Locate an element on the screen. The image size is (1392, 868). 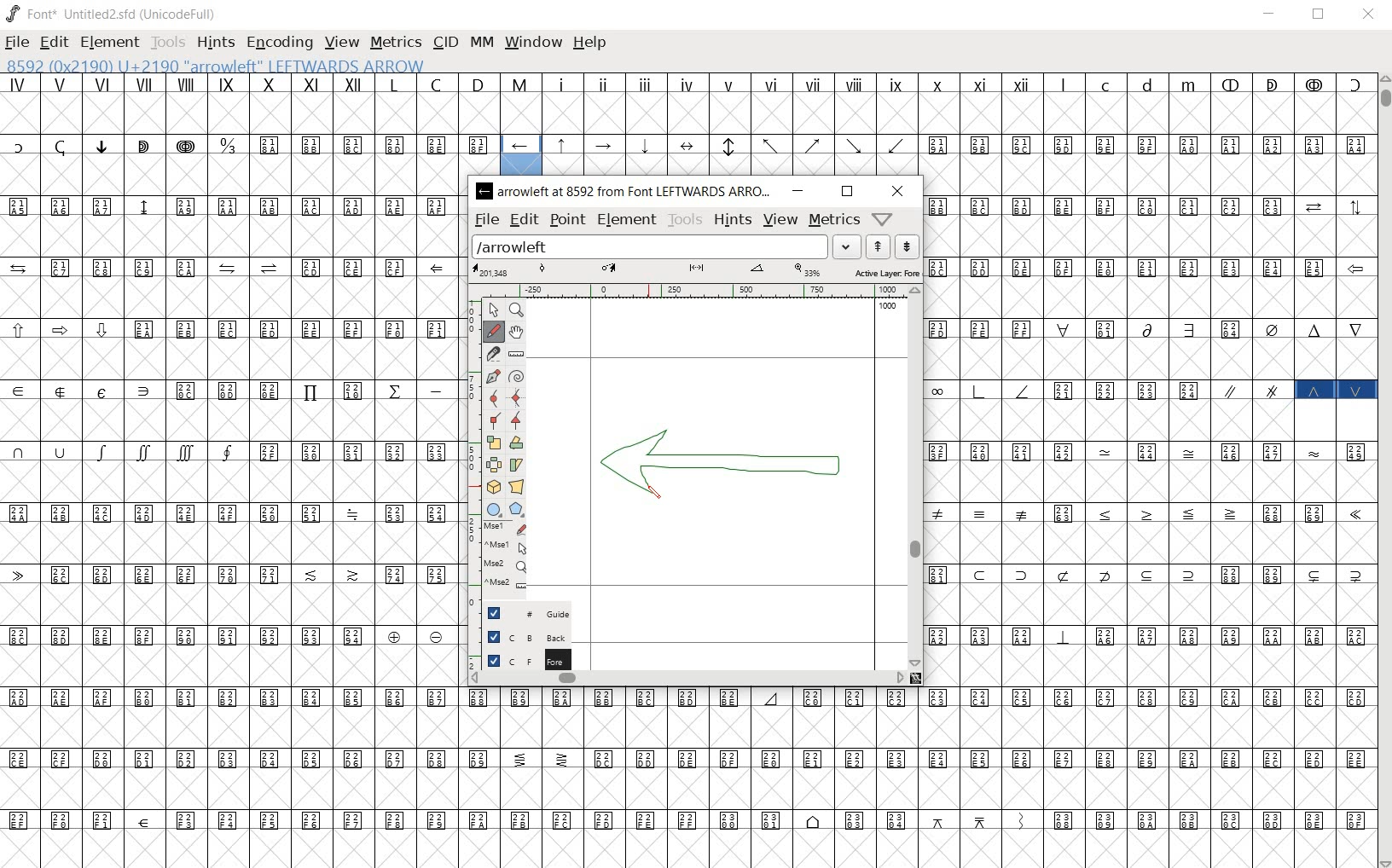
add a curve point is located at coordinates (492, 397).